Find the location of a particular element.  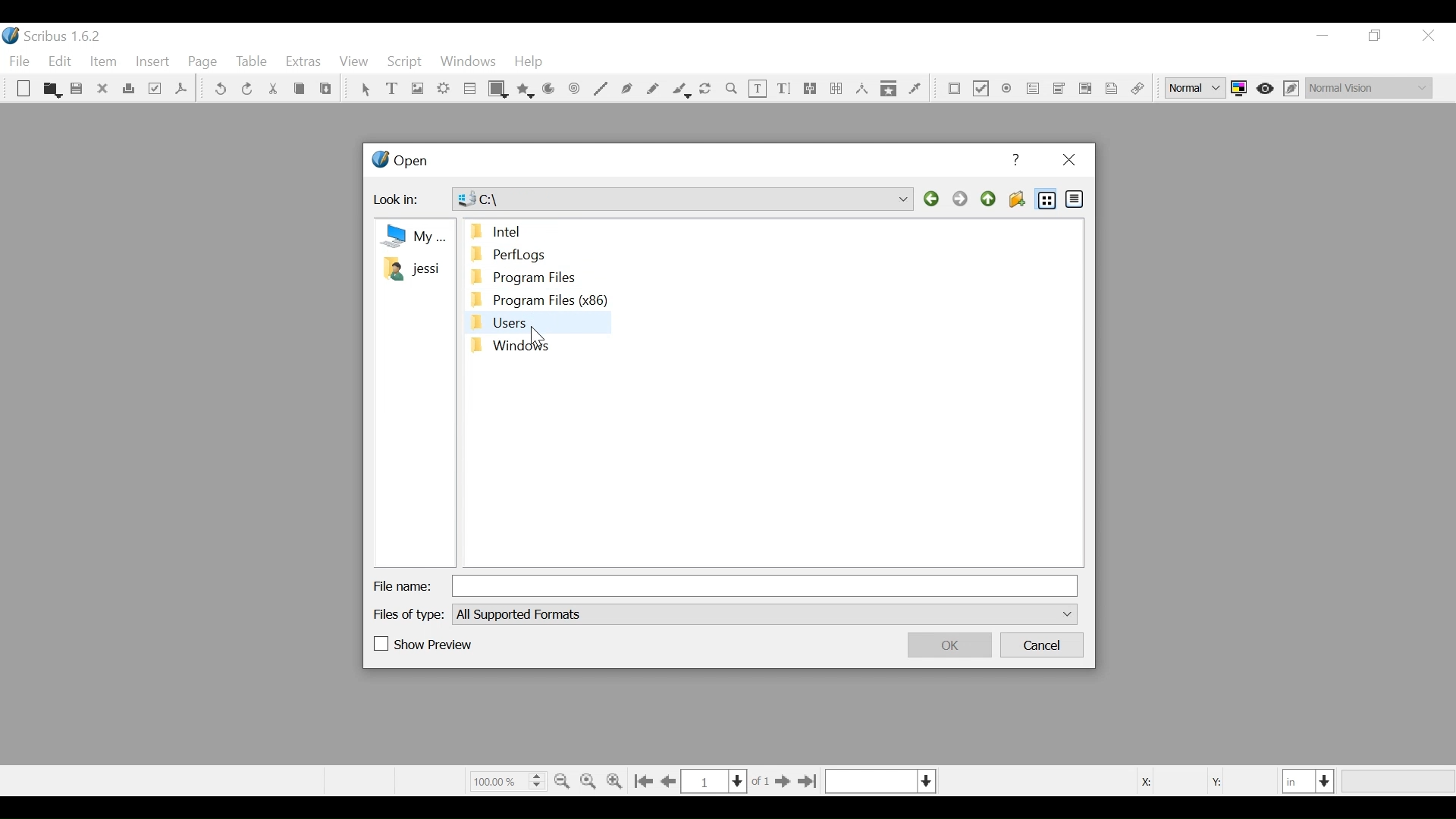

Text Annotation is located at coordinates (1109, 89).